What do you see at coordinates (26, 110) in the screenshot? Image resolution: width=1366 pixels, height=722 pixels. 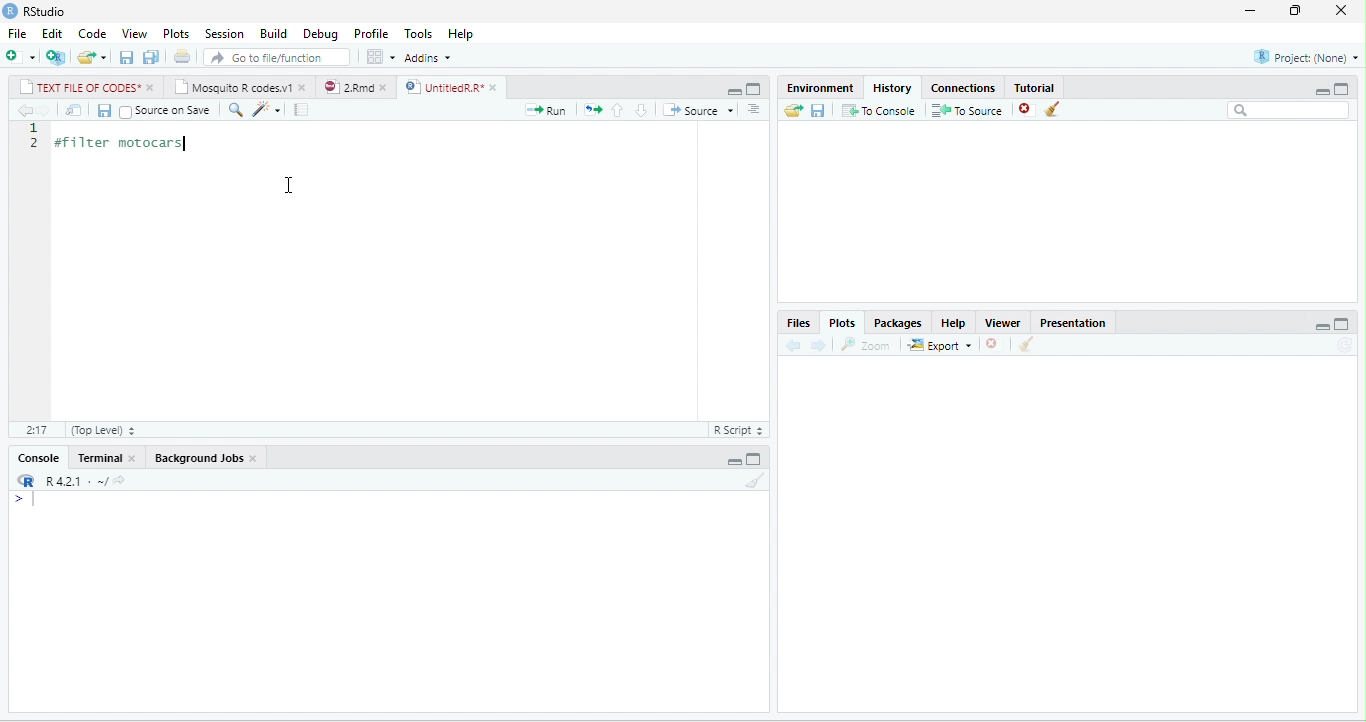 I see `back` at bounding box center [26, 110].